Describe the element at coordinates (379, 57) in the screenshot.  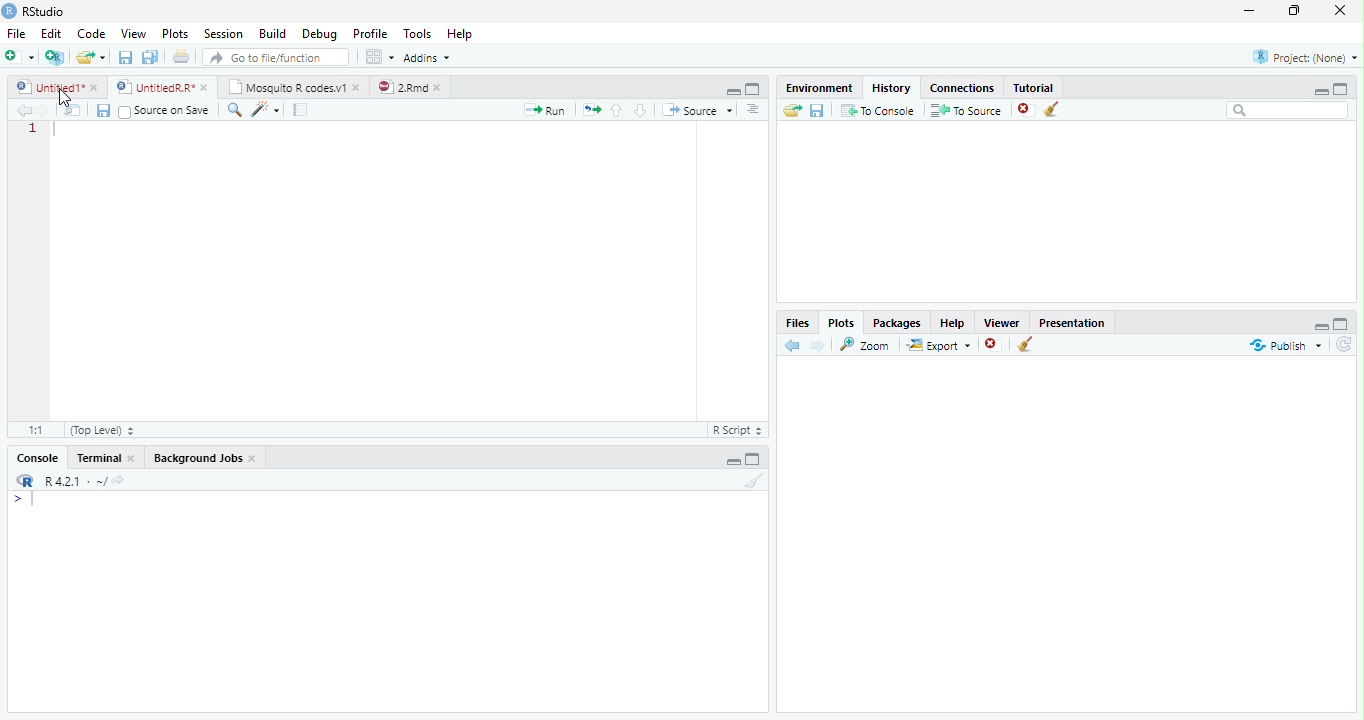
I see `Workspace Panes` at that location.